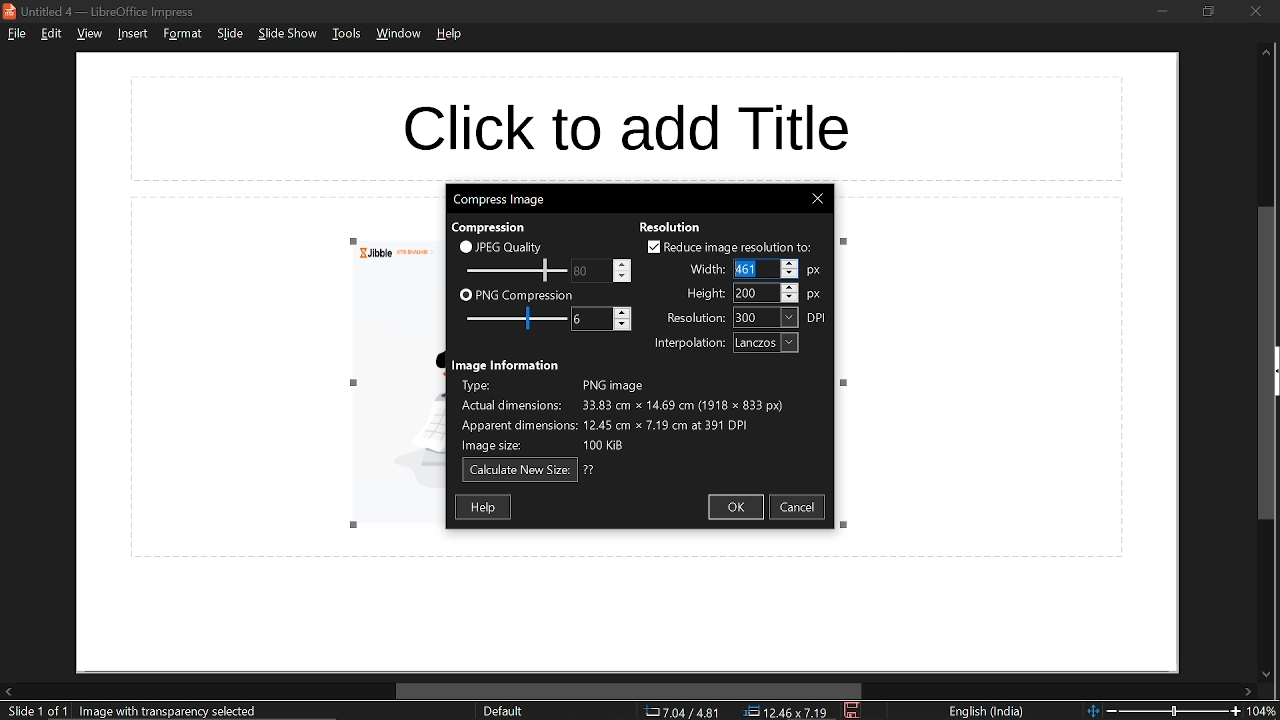 The width and height of the screenshot is (1280, 720). Describe the element at coordinates (519, 470) in the screenshot. I see `calculate new size` at that location.